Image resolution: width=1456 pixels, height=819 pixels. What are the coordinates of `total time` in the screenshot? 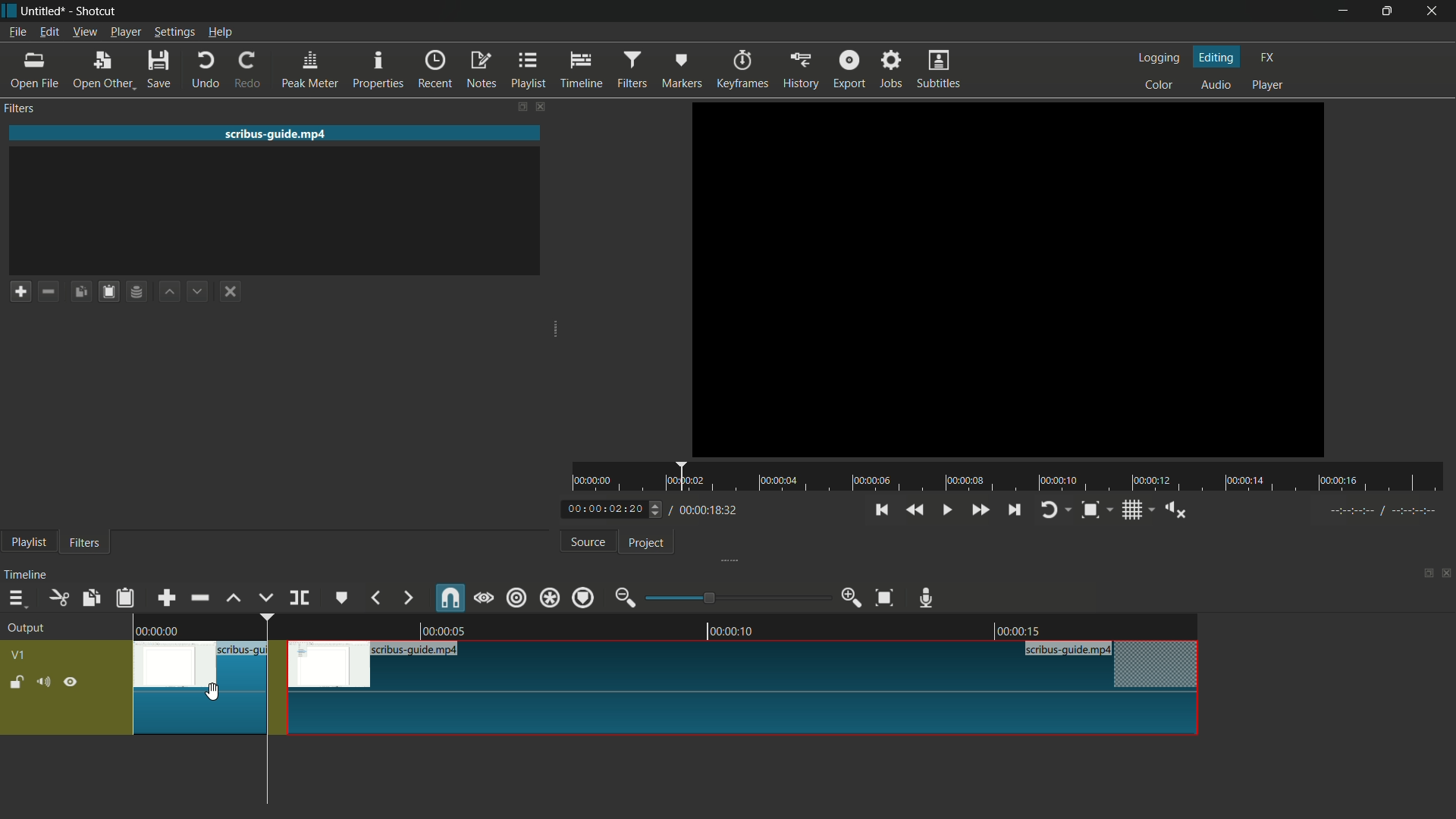 It's located at (704, 510).